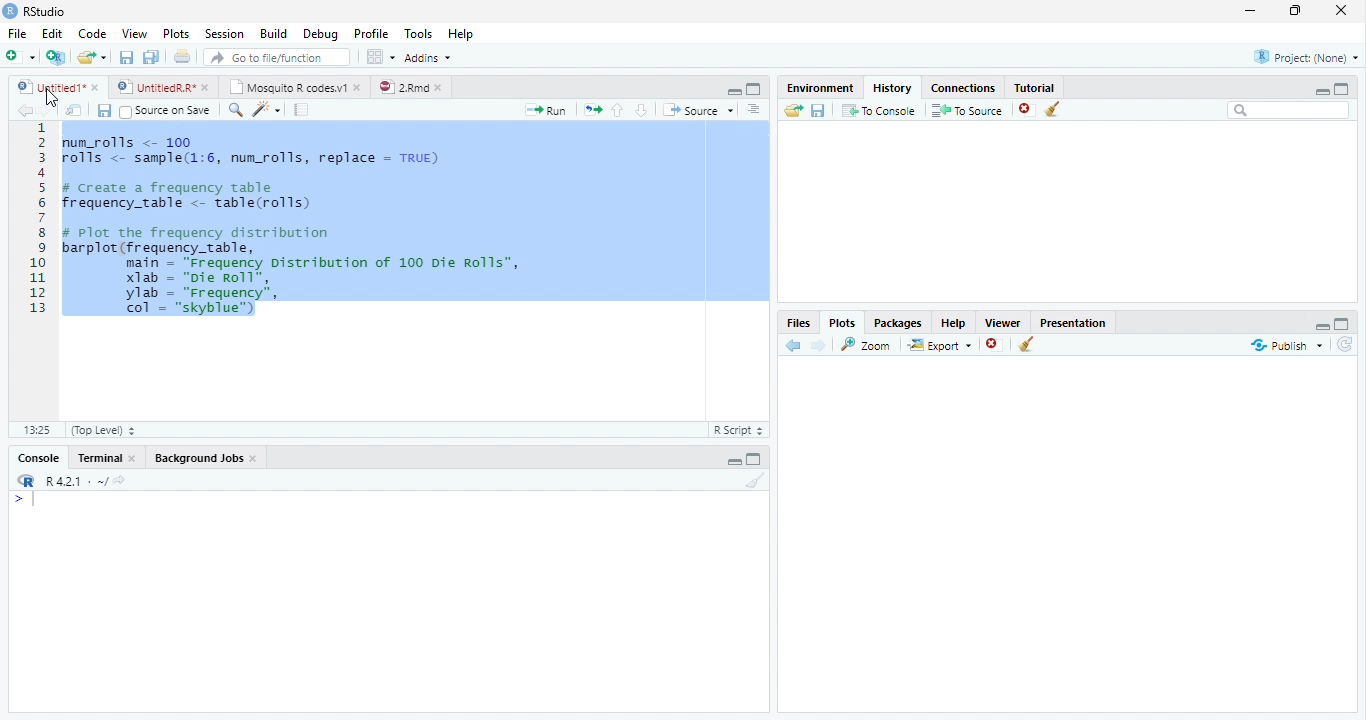 This screenshot has height=720, width=1366. I want to click on Terminal, so click(109, 457).